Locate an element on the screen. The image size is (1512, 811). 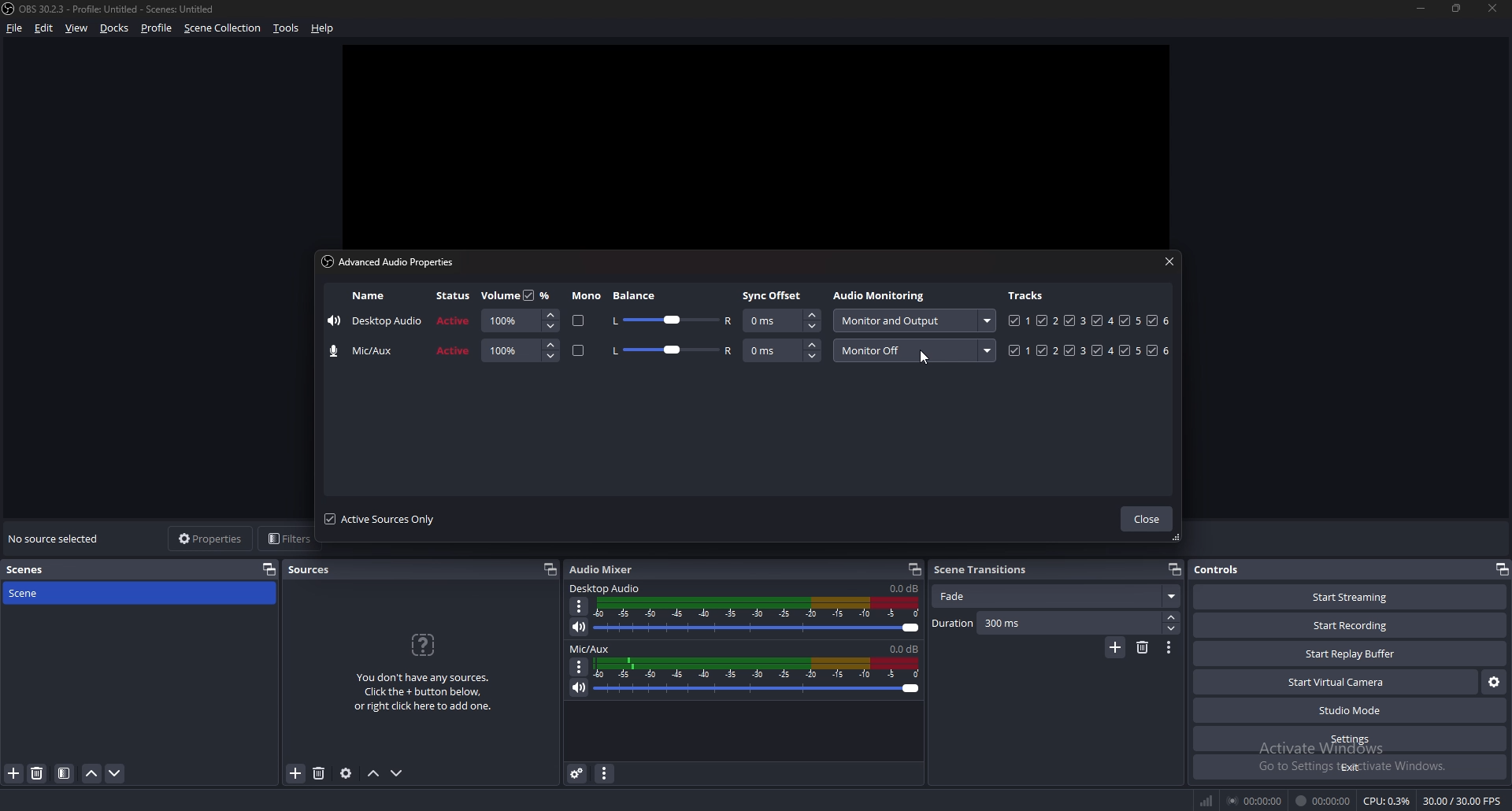
audio mixer is located at coordinates (607, 570).